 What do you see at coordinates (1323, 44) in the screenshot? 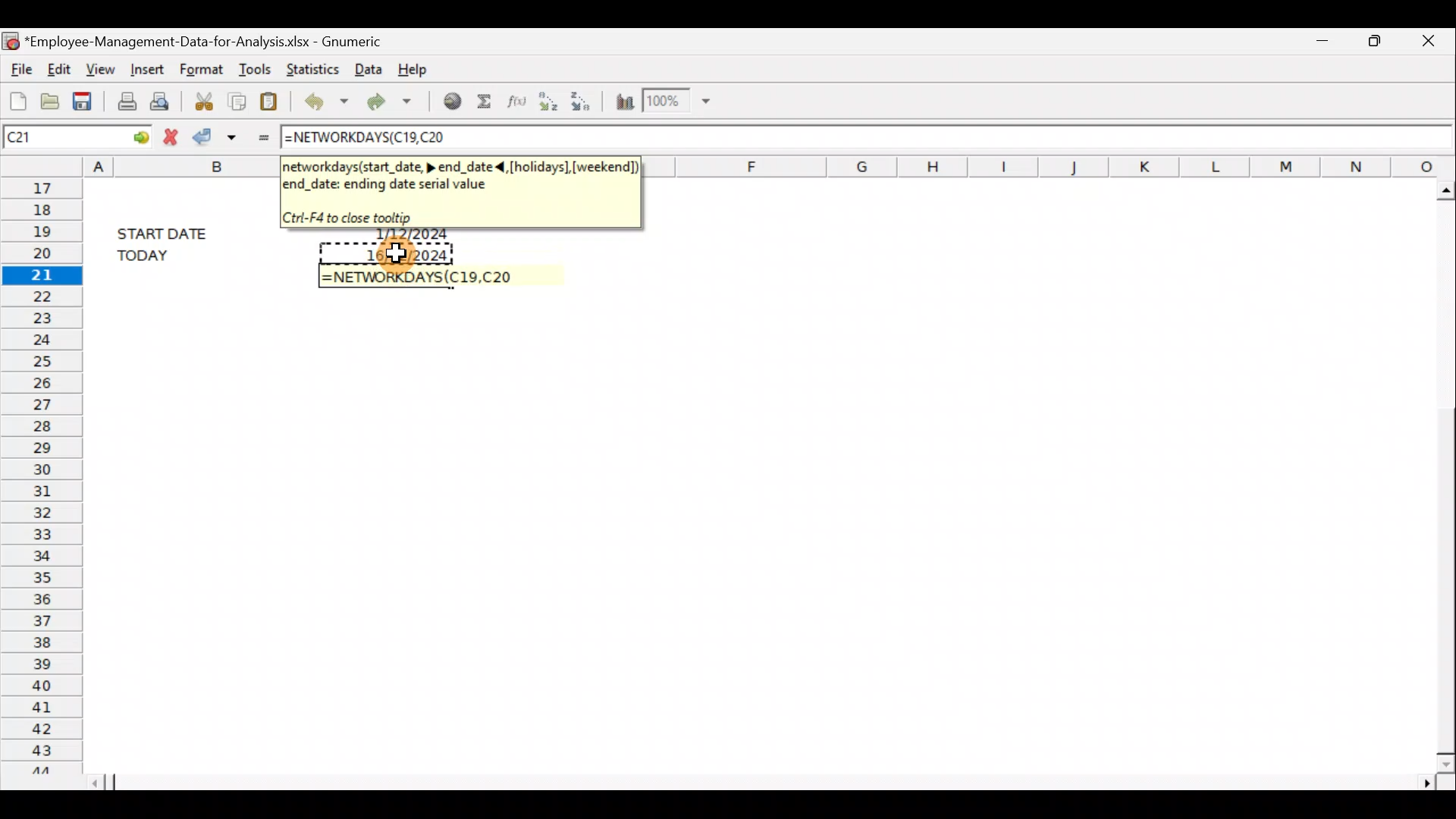
I see `Minimize` at bounding box center [1323, 44].